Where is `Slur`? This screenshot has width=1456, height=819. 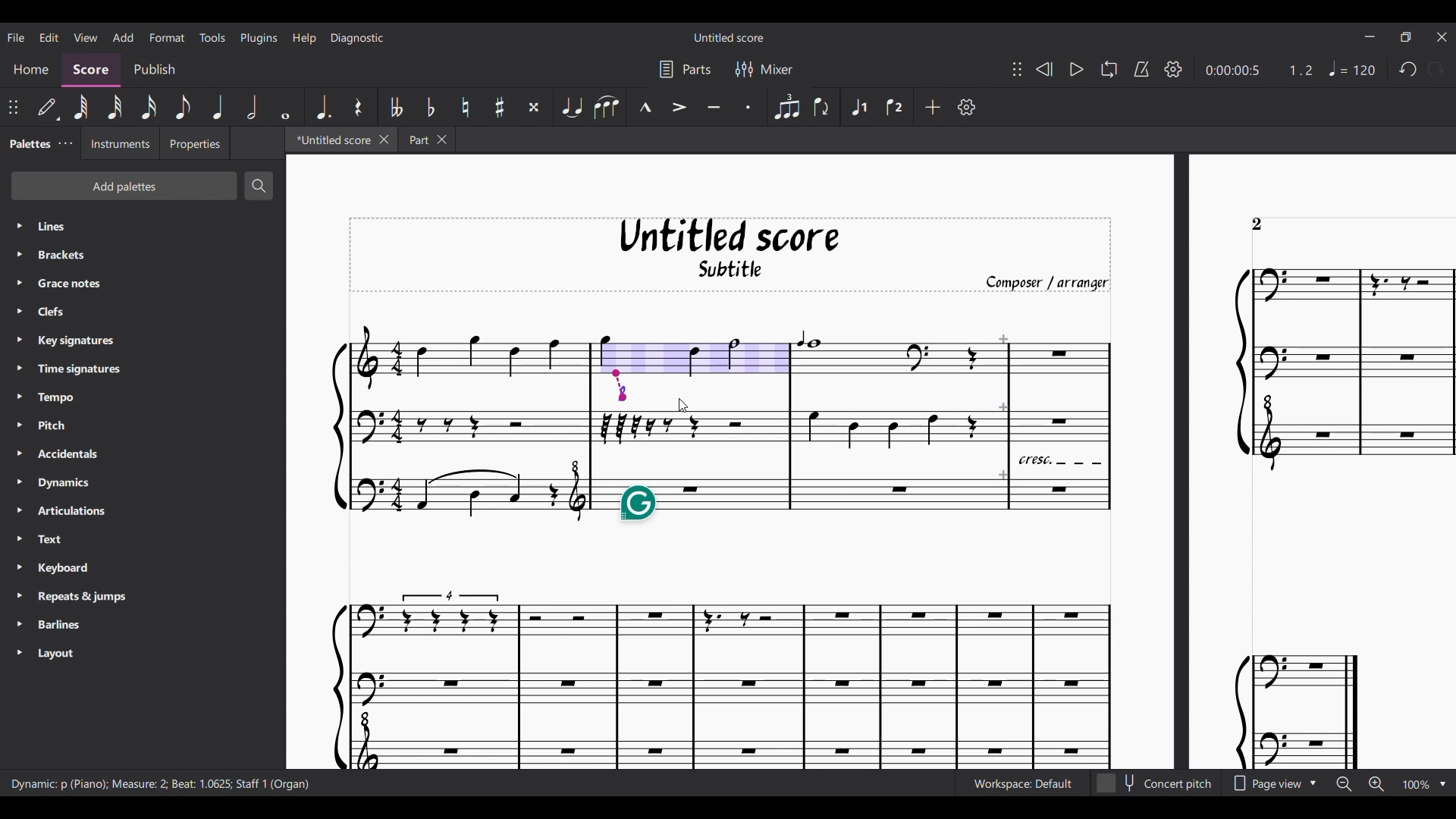
Slur is located at coordinates (607, 107).